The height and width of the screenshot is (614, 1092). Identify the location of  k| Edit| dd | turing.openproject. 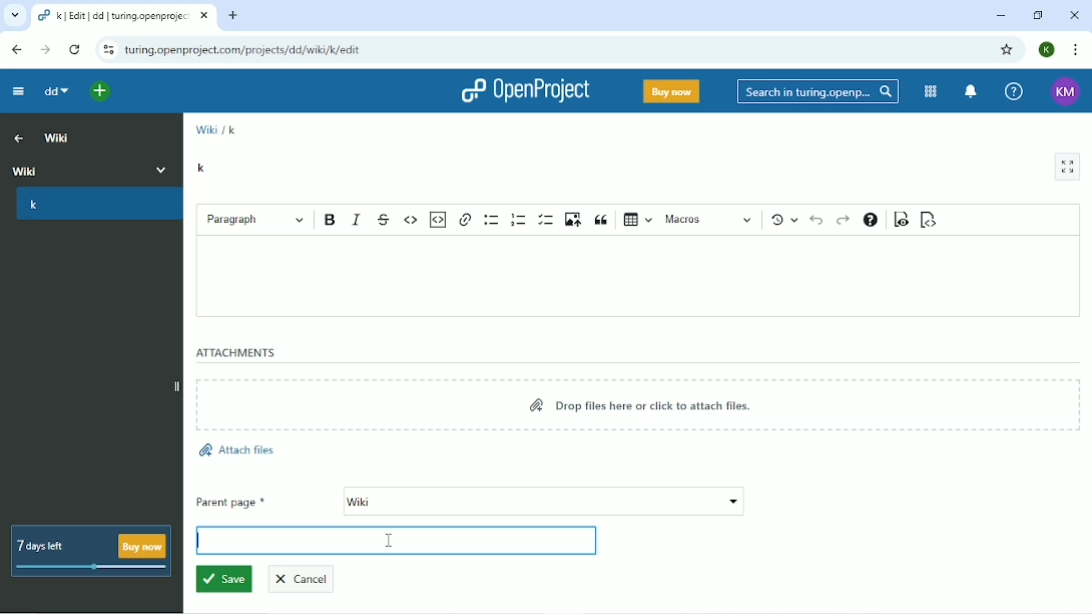
(117, 18).